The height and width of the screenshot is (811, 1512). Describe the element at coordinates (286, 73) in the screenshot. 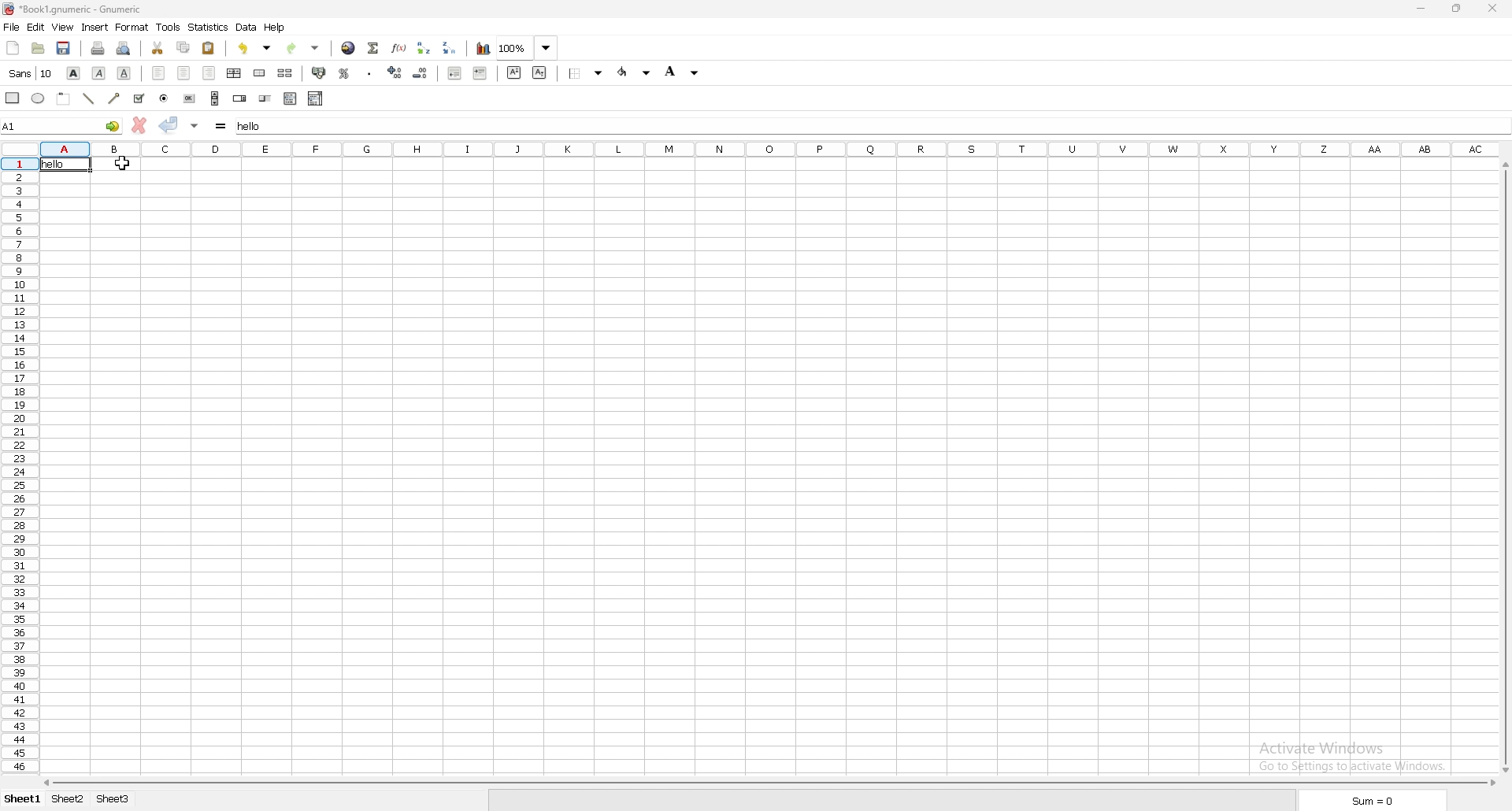

I see `split merged` at that location.